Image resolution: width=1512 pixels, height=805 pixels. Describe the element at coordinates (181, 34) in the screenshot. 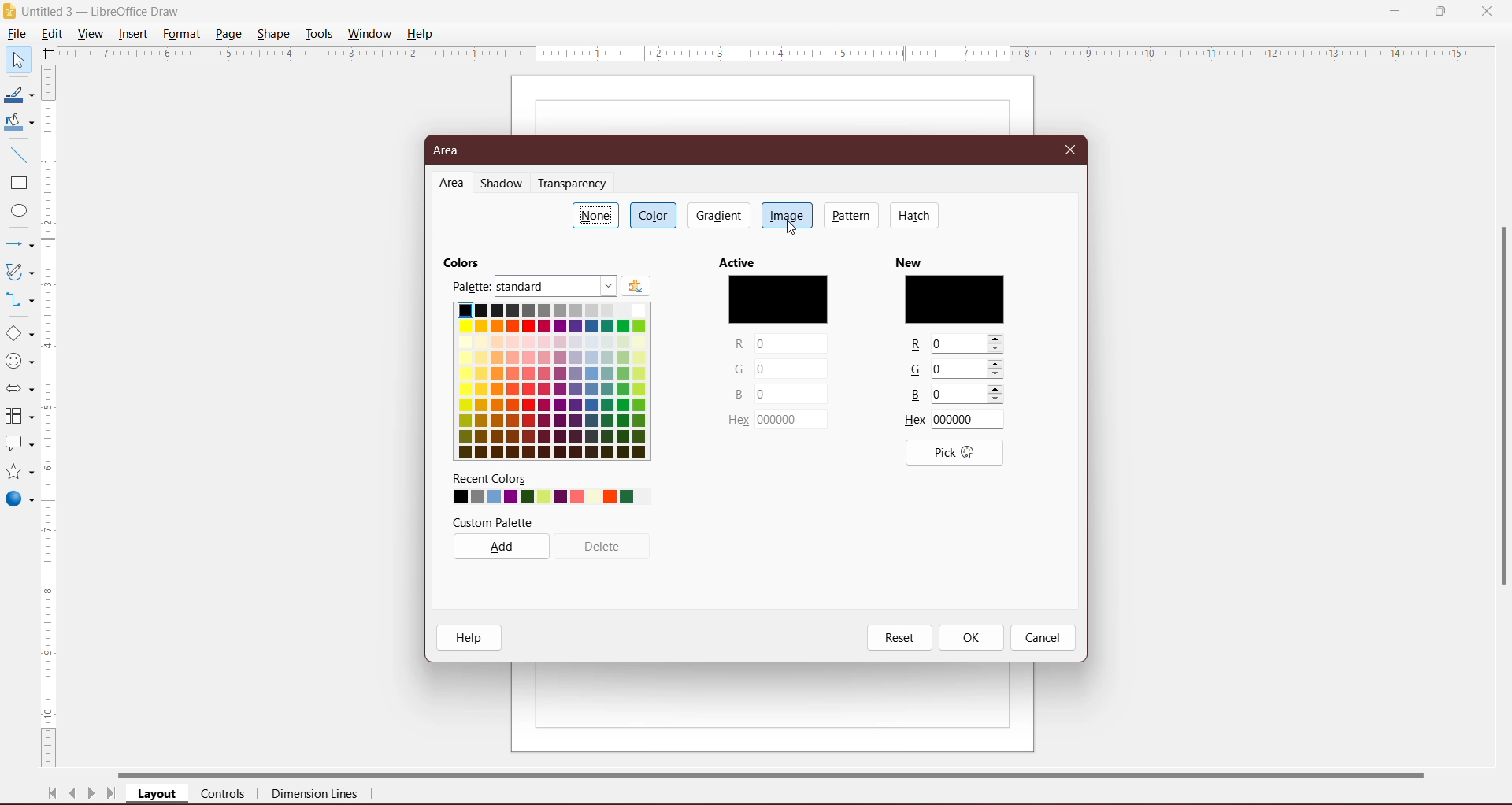

I see `Format` at that location.